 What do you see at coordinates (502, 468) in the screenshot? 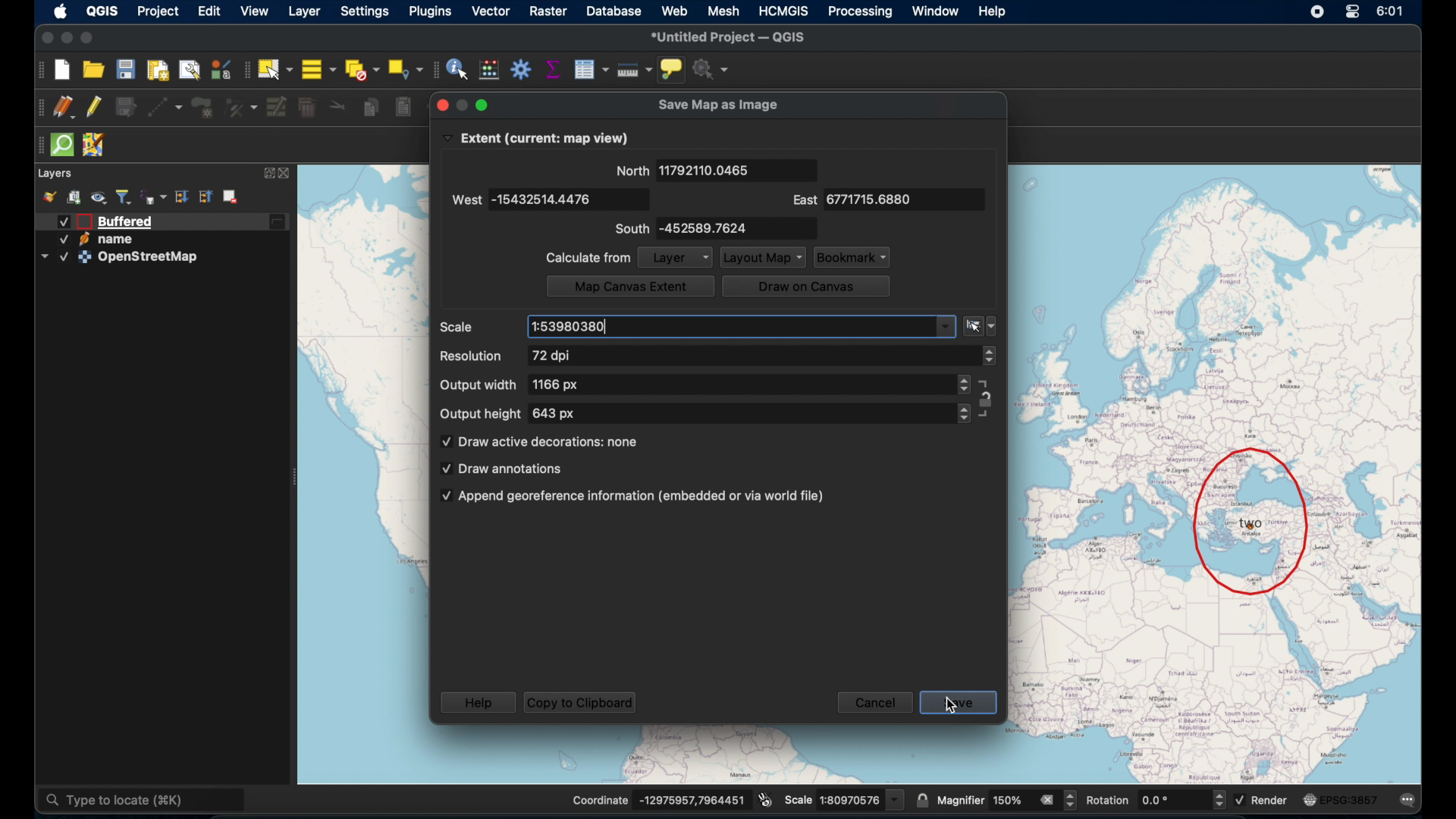
I see `draw annotations` at bounding box center [502, 468].